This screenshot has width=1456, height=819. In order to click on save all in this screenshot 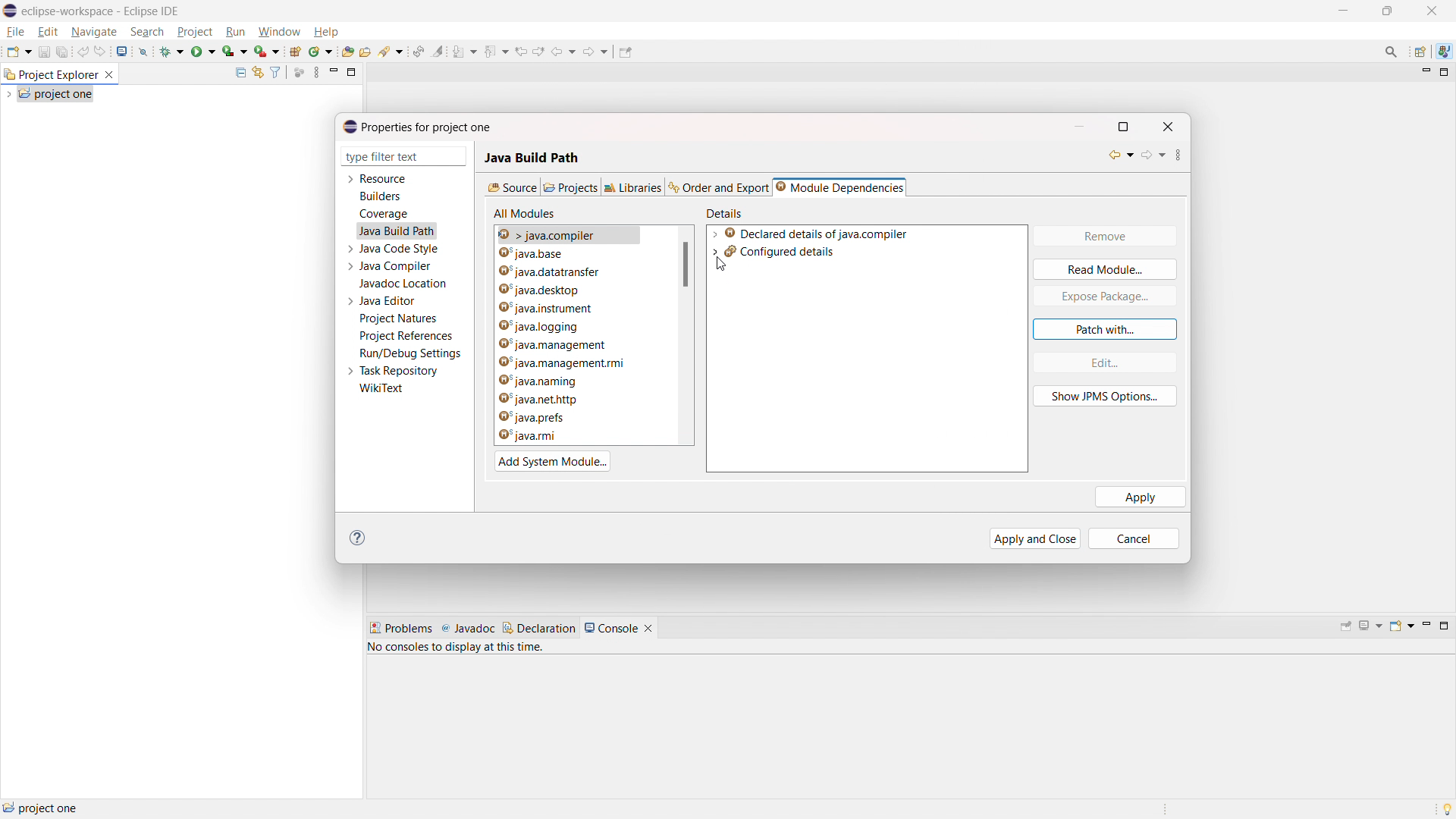, I will do `click(63, 52)`.